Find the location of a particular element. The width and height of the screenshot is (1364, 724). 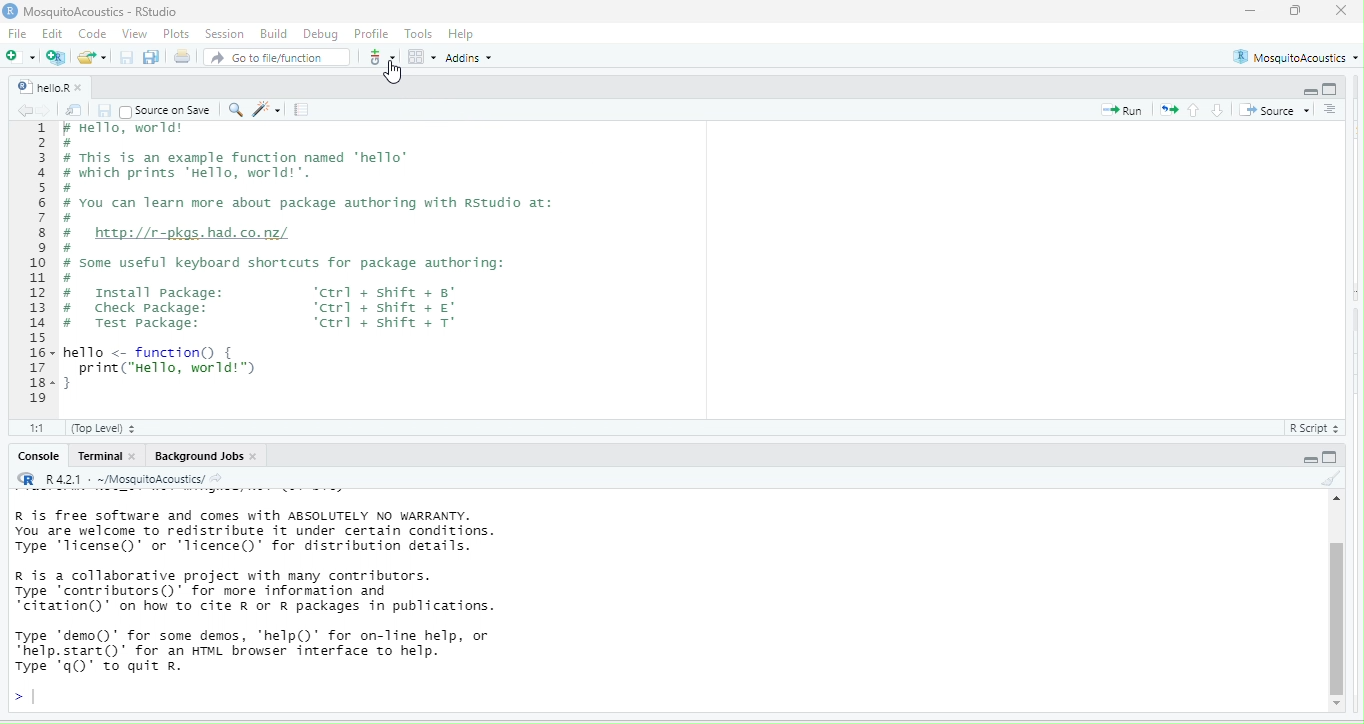

close is located at coordinates (135, 456).